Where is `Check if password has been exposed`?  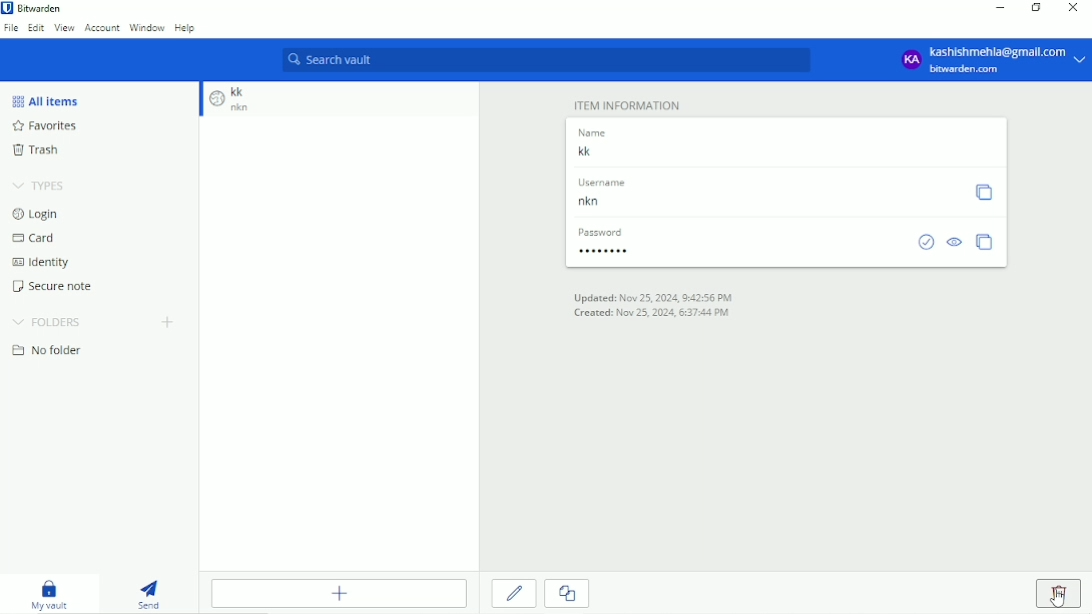
Check if password has been exposed is located at coordinates (926, 242).